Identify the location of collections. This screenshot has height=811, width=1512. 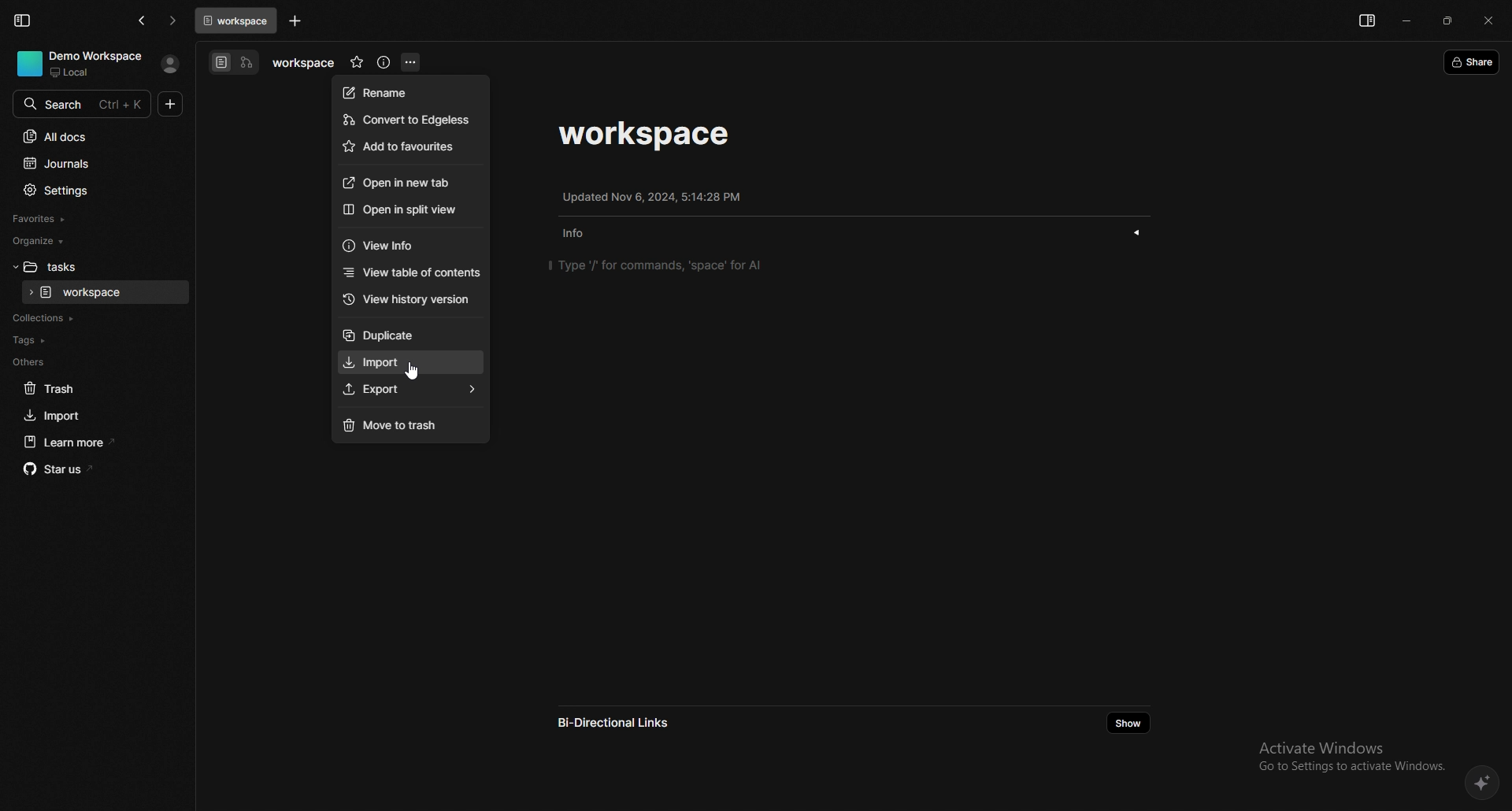
(91, 319).